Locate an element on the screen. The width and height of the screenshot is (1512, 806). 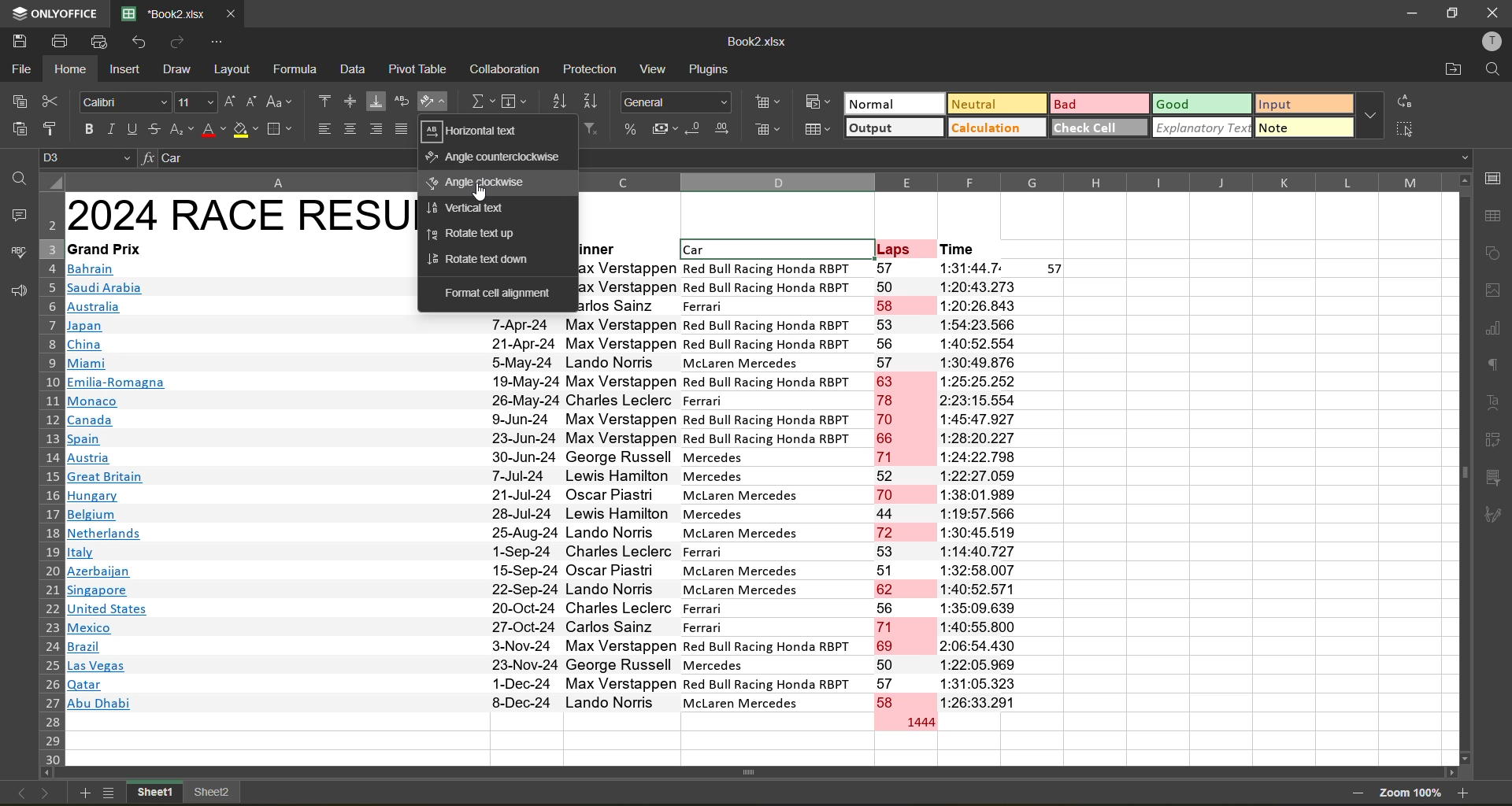
insert cells is located at coordinates (769, 105).